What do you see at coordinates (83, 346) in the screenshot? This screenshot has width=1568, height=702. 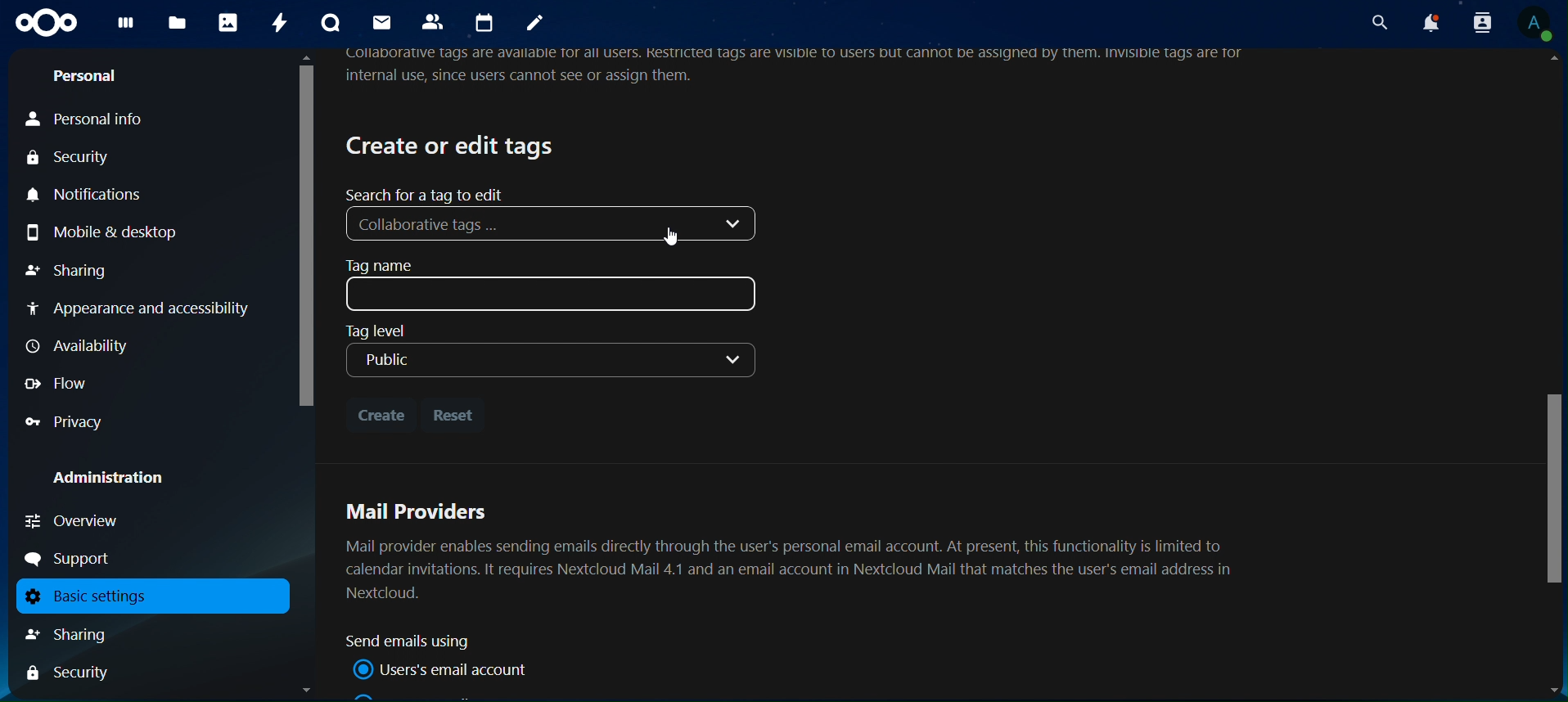 I see `availability` at bounding box center [83, 346].